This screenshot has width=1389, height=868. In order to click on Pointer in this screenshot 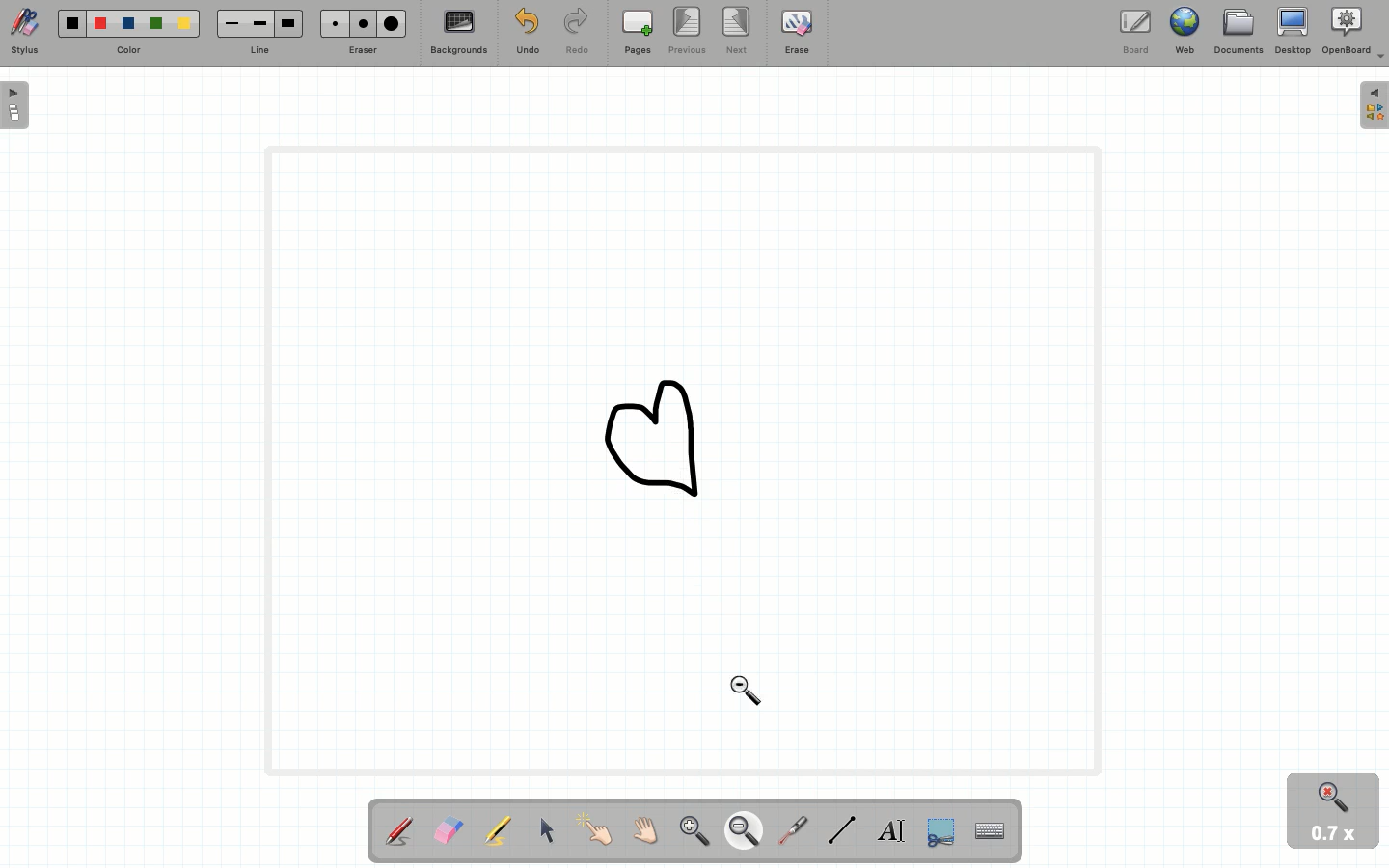, I will do `click(598, 830)`.